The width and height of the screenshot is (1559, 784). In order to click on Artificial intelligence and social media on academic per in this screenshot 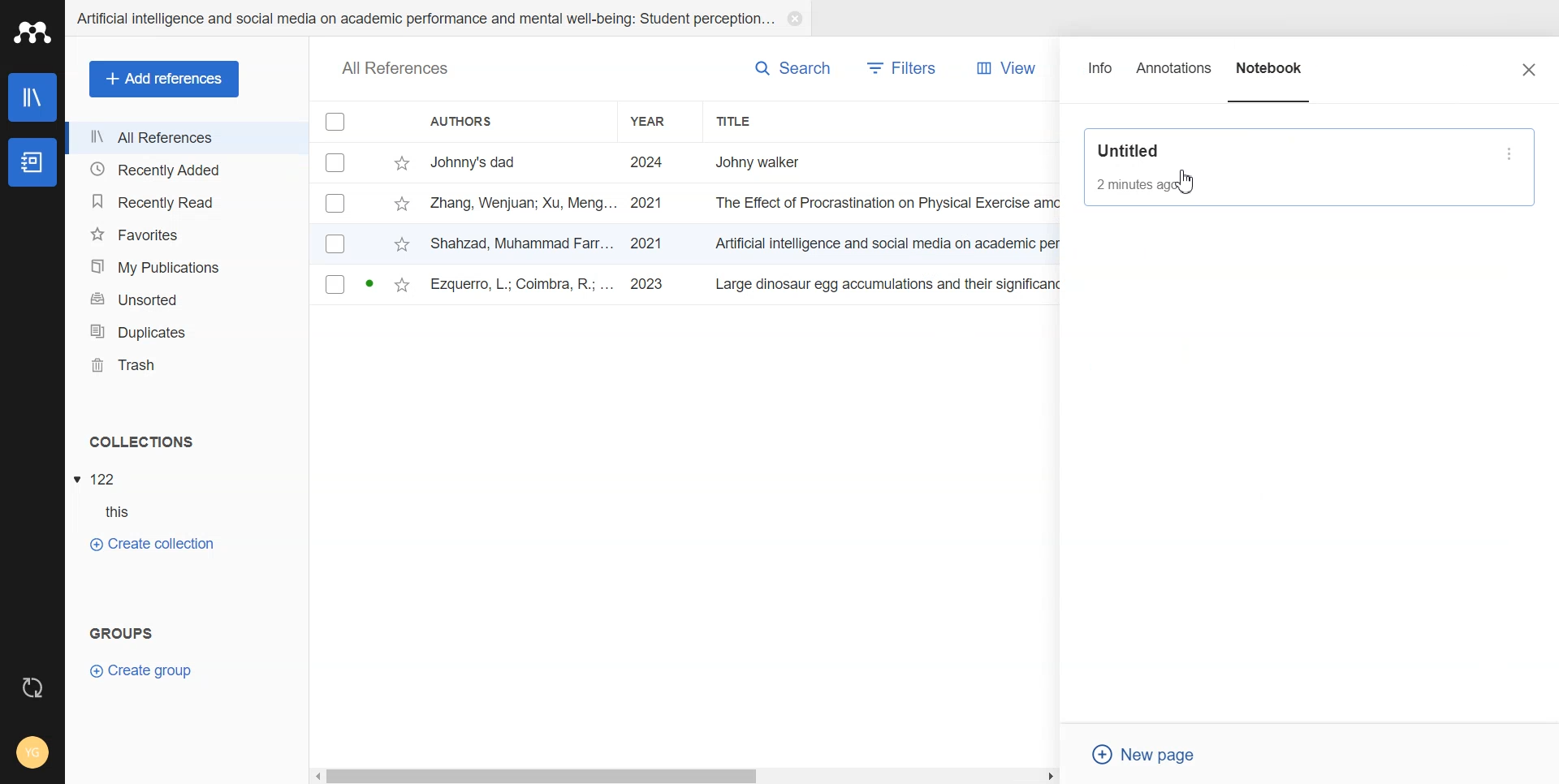, I will do `click(890, 241)`.